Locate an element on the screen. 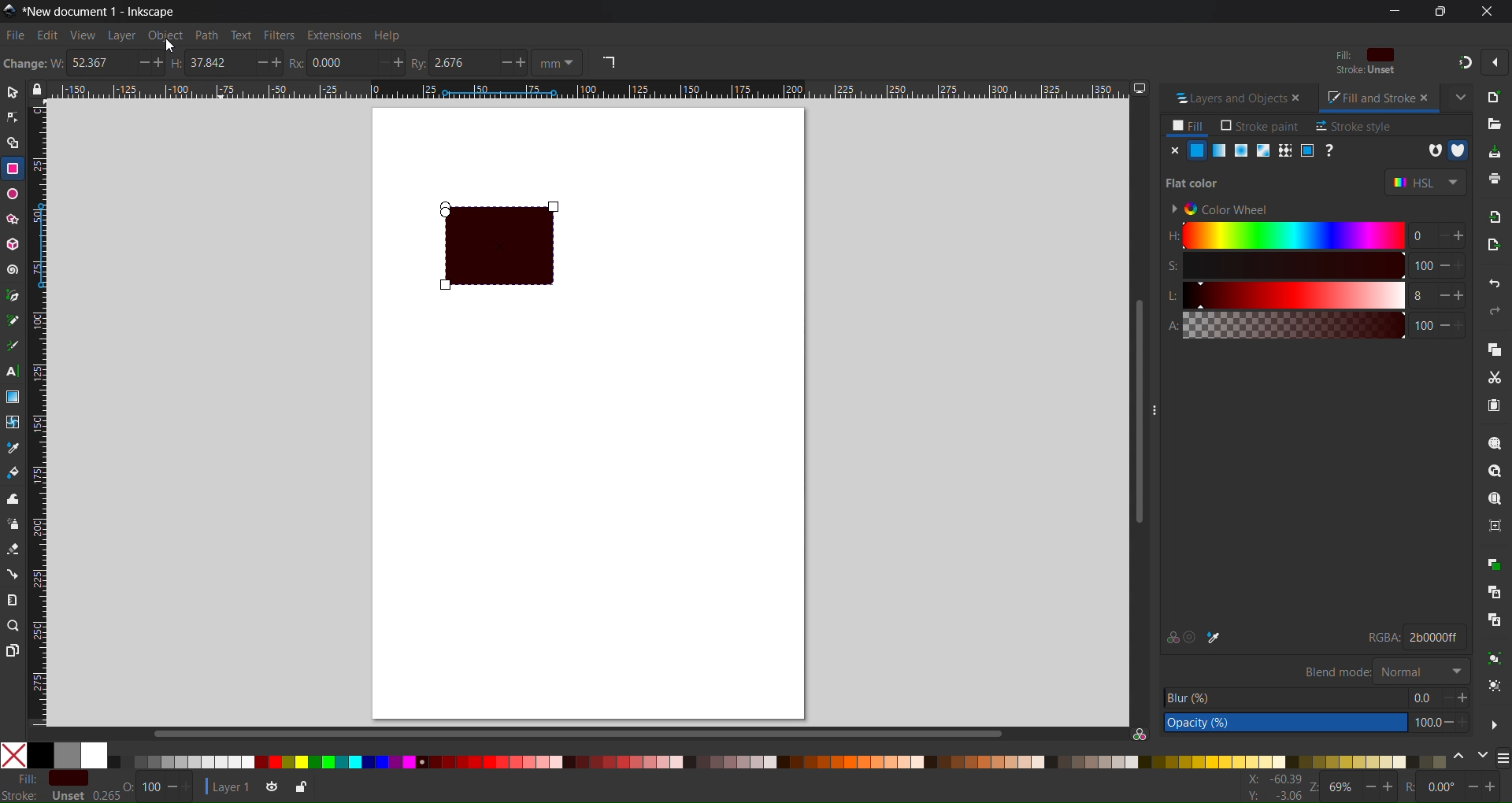 Image resolution: width=1512 pixels, height=803 pixels. Mesh tool is located at coordinates (13, 422).